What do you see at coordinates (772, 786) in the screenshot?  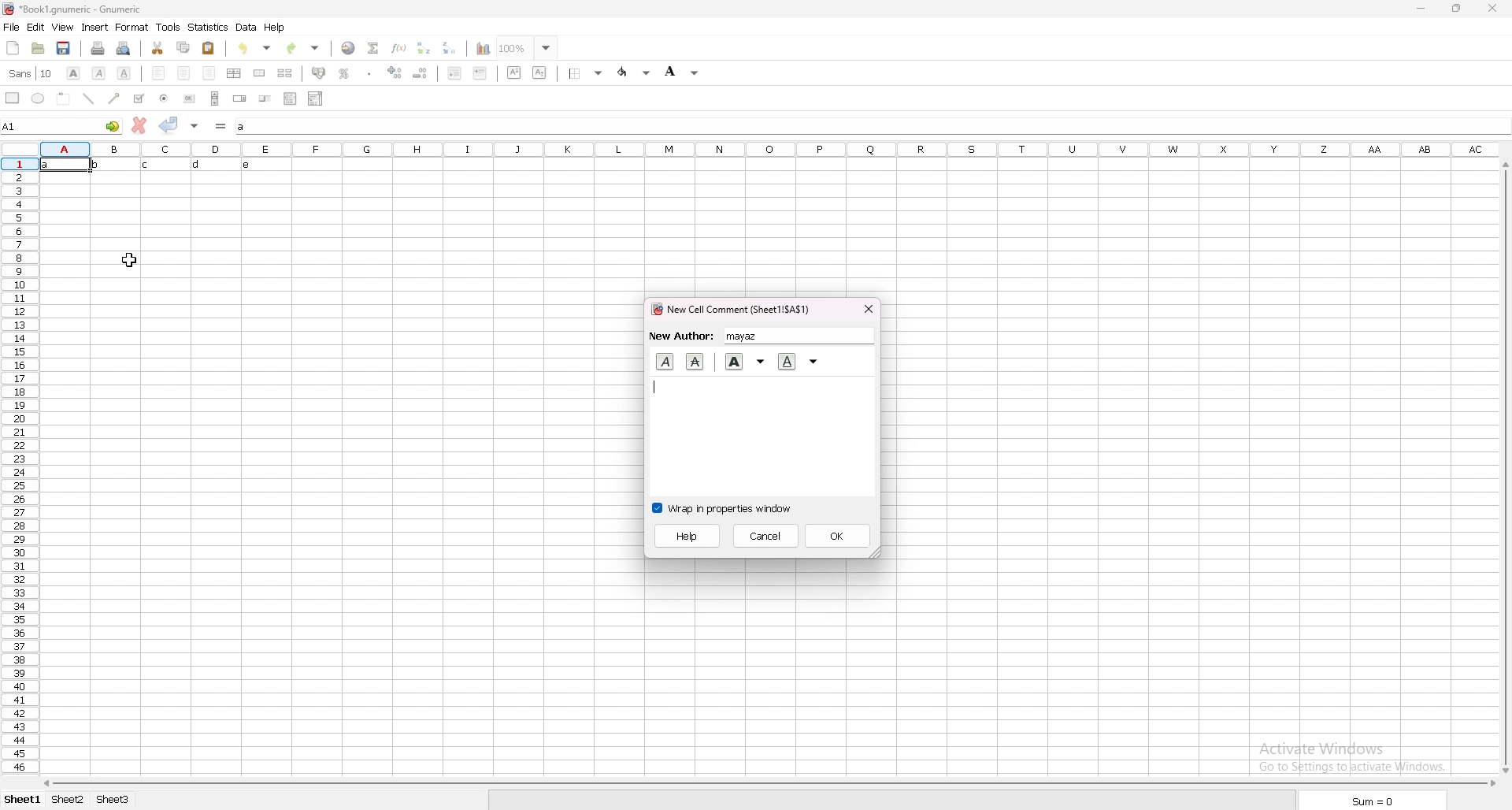 I see `scroll bar` at bounding box center [772, 786].